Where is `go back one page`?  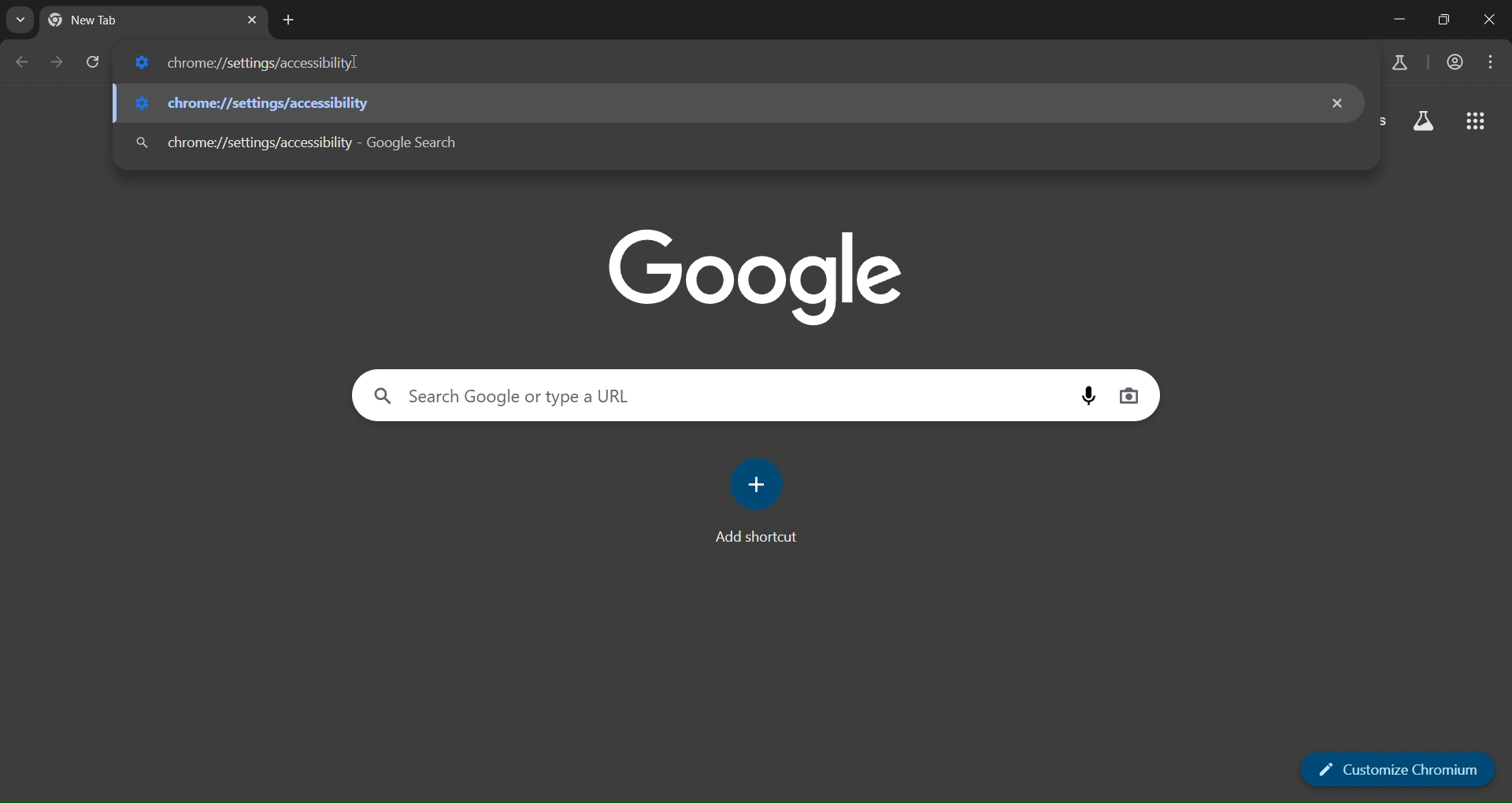
go back one page is located at coordinates (20, 62).